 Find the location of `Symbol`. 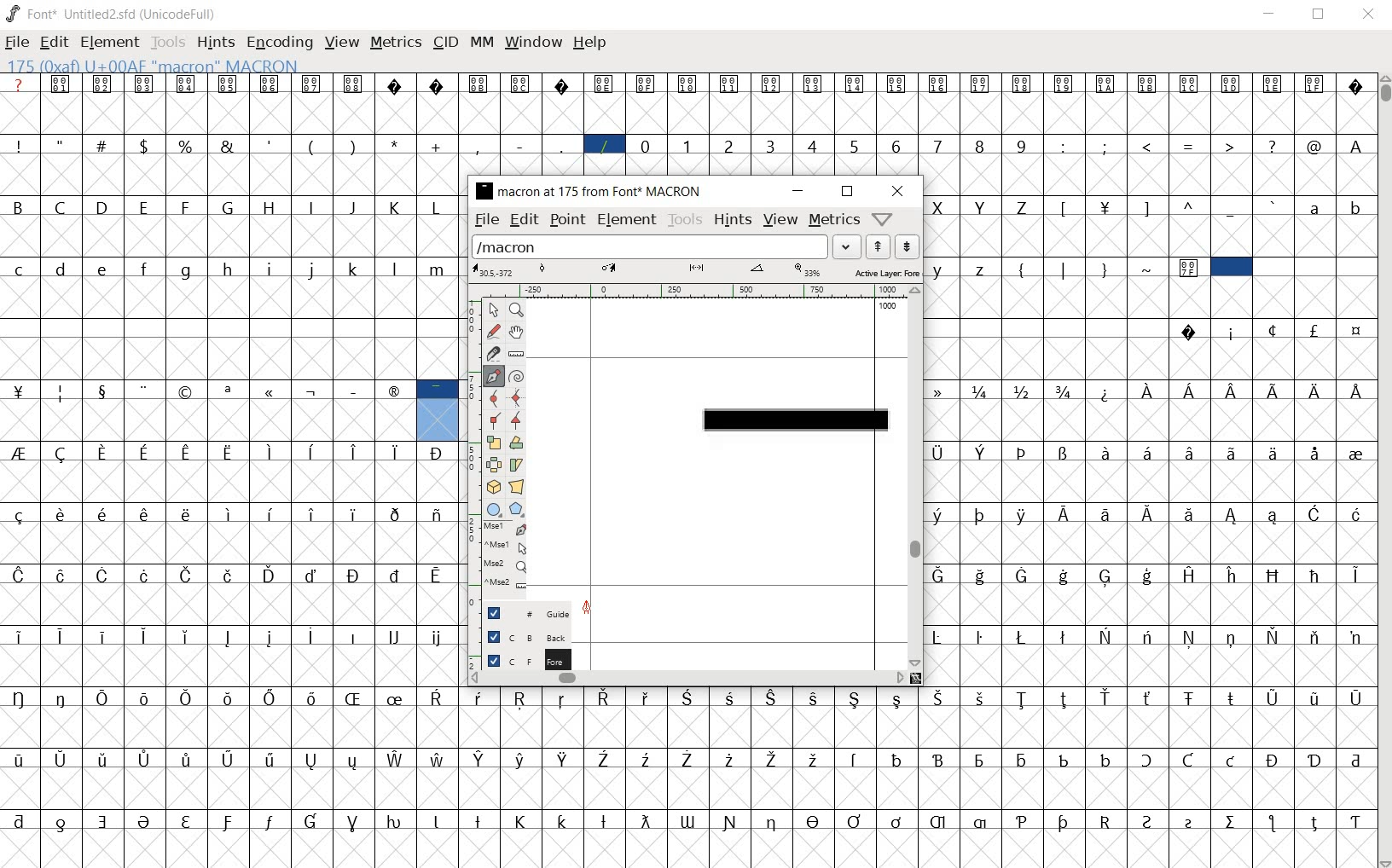

Symbol is located at coordinates (1273, 759).